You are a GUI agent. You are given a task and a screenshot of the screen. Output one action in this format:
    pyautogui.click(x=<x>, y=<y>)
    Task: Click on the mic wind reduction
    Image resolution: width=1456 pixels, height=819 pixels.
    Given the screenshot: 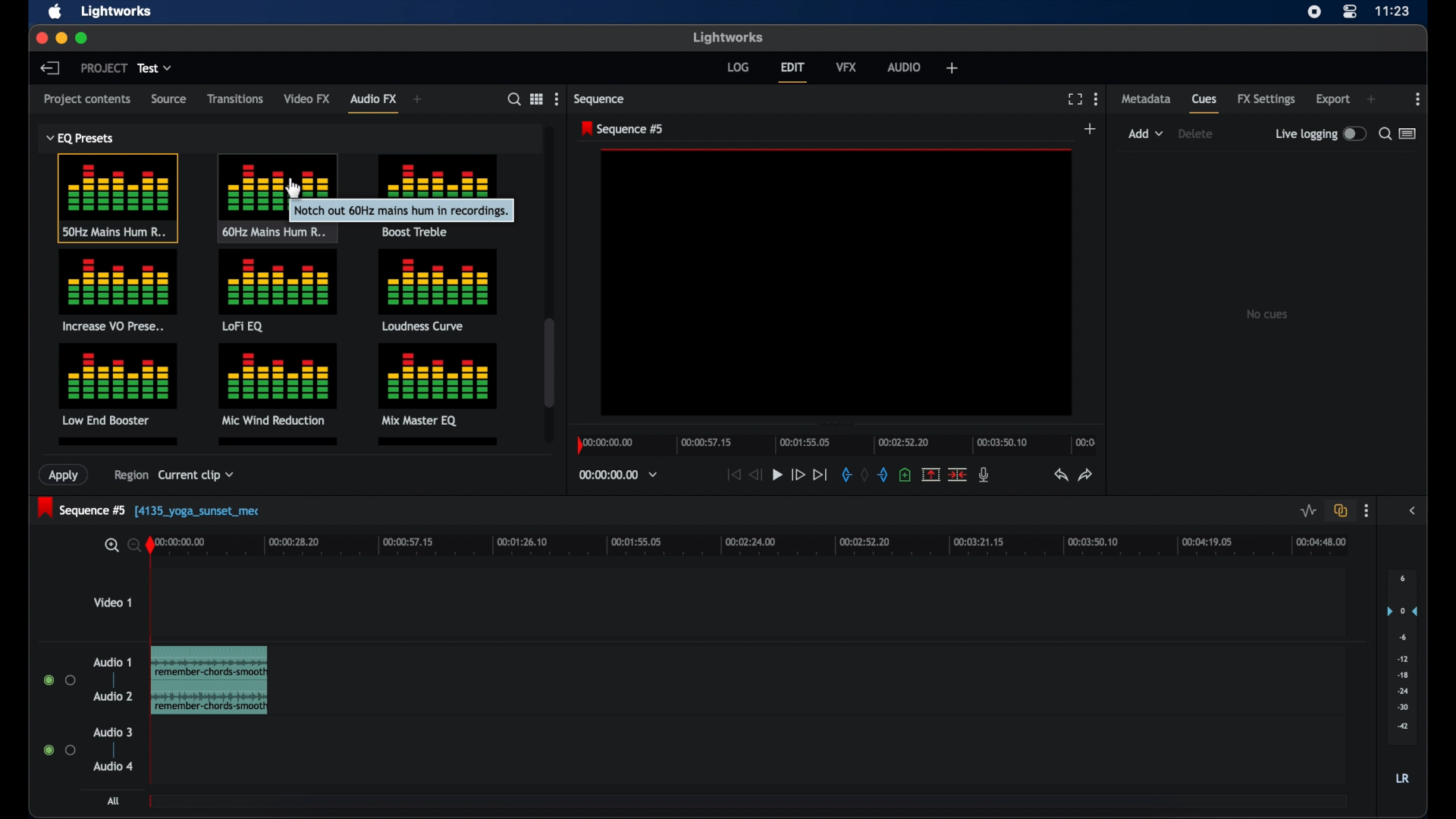 What is the action you would take?
    pyautogui.click(x=277, y=384)
    